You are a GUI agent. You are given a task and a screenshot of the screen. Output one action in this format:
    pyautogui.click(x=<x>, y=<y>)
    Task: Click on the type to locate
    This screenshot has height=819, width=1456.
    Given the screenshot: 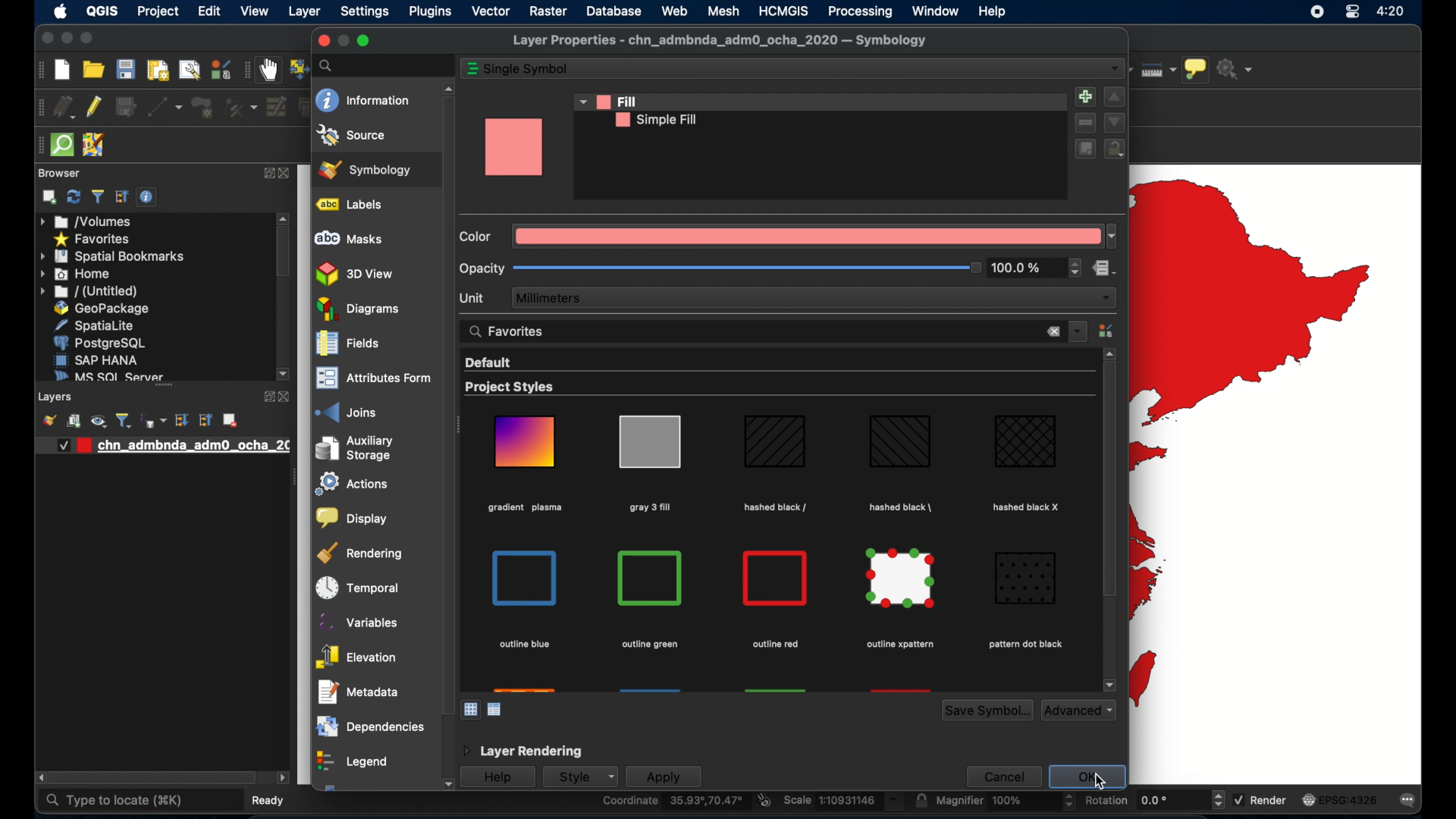 What is the action you would take?
    pyautogui.click(x=114, y=801)
    